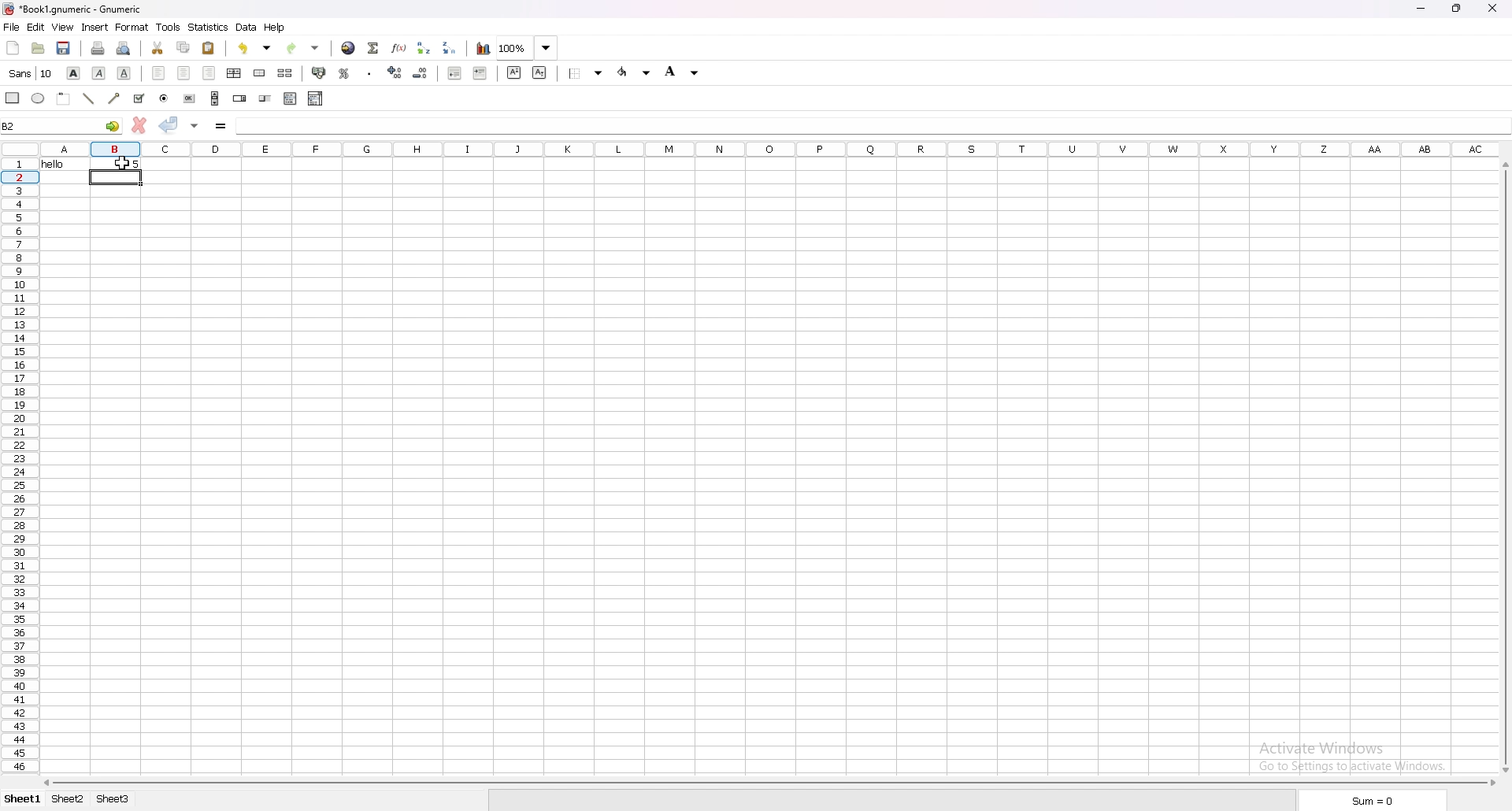 This screenshot has width=1512, height=811. Describe the element at coordinates (246, 28) in the screenshot. I see `data` at that location.